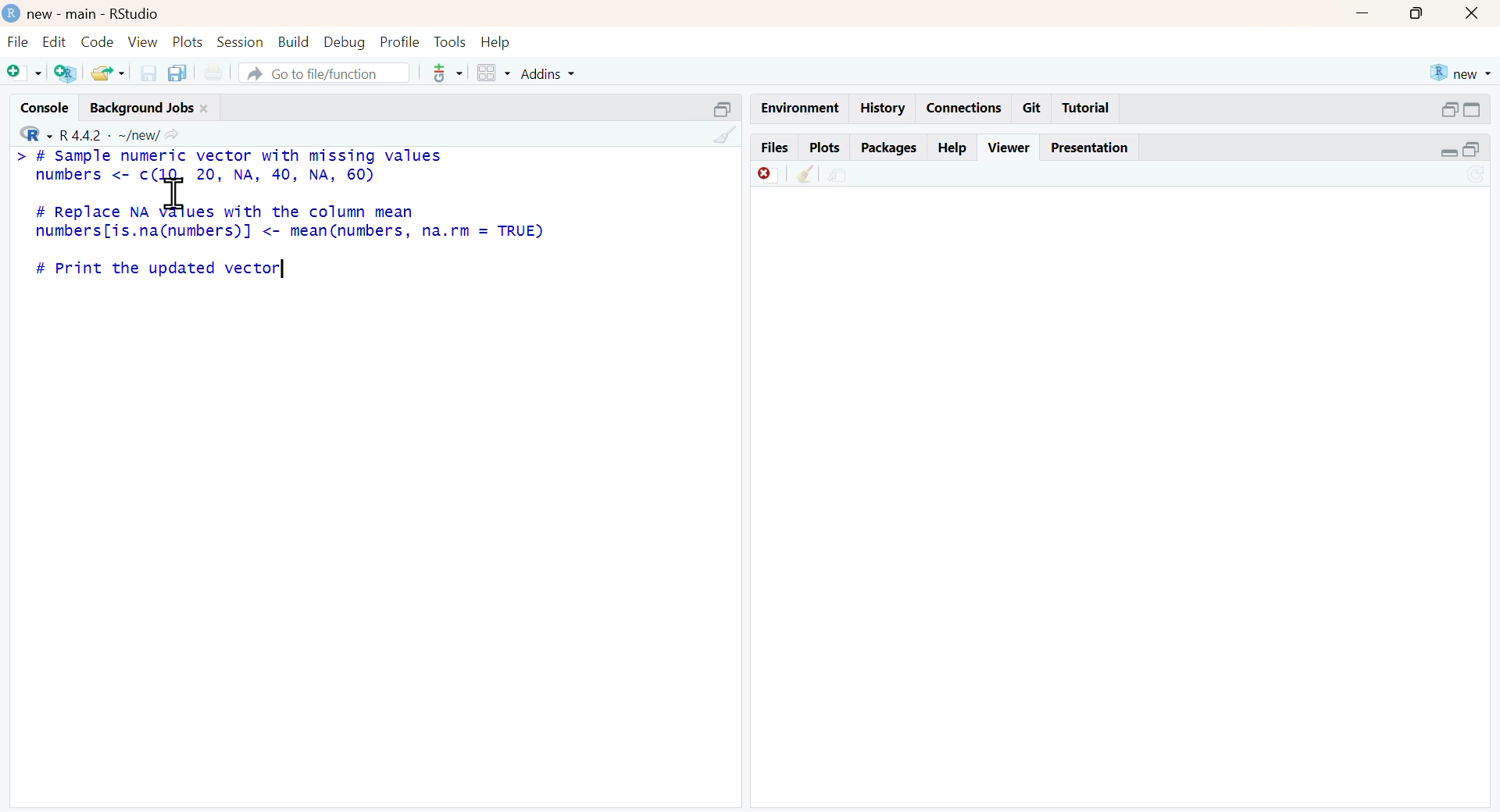 The height and width of the screenshot is (812, 1500). I want to click on share file, so click(841, 176).